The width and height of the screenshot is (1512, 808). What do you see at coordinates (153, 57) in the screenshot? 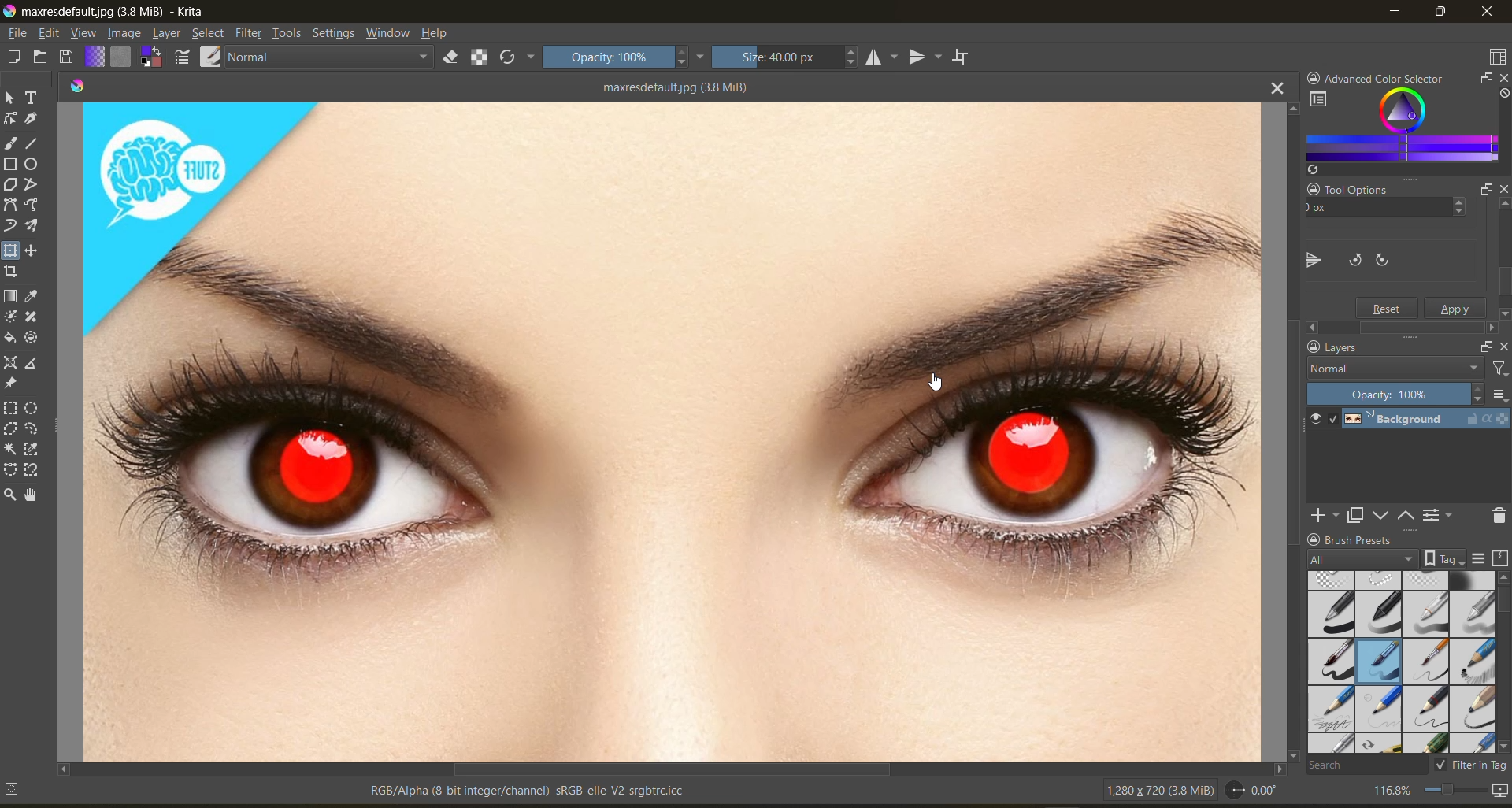
I see `swap foreground and background color` at bounding box center [153, 57].